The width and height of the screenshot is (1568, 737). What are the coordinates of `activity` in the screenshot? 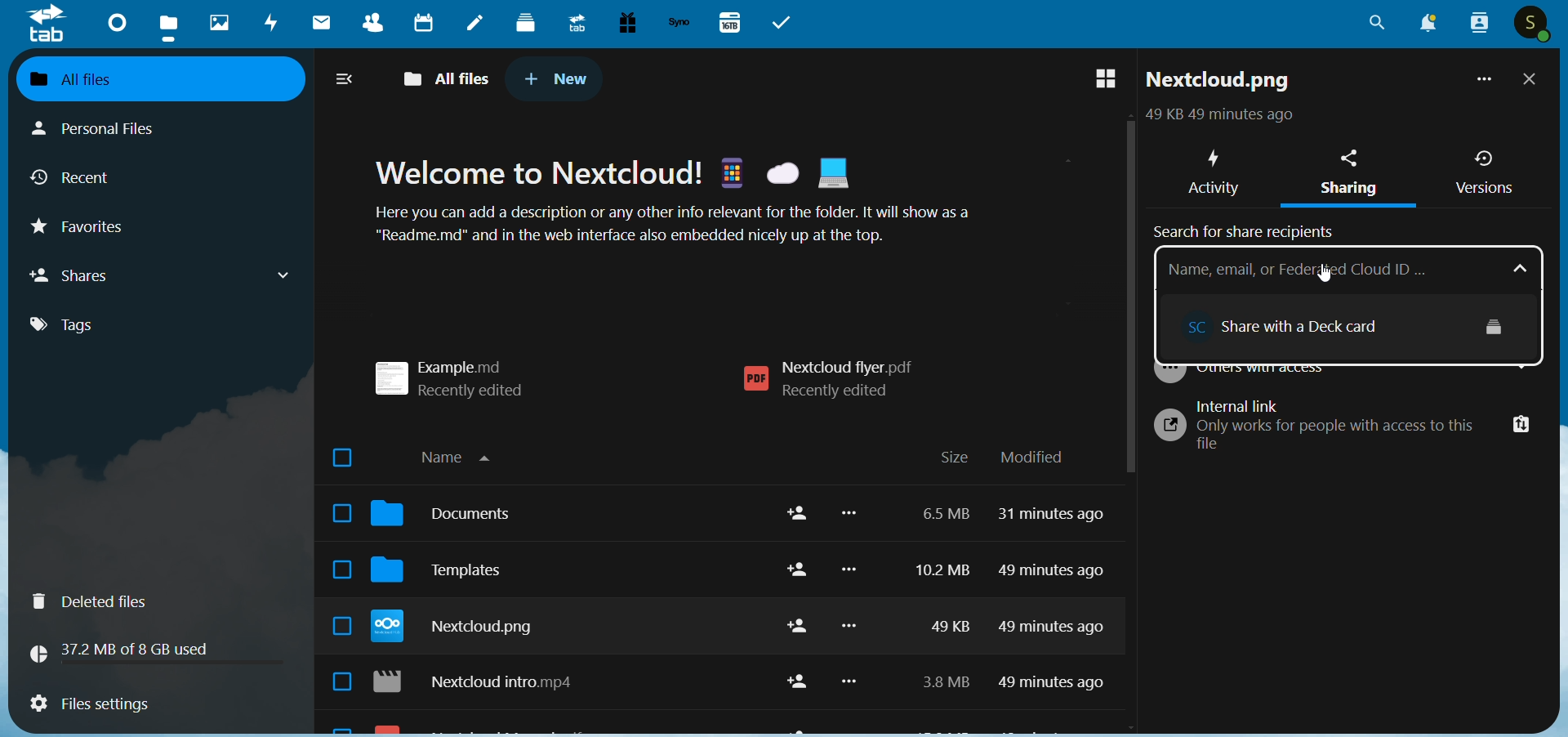 It's located at (1211, 168).